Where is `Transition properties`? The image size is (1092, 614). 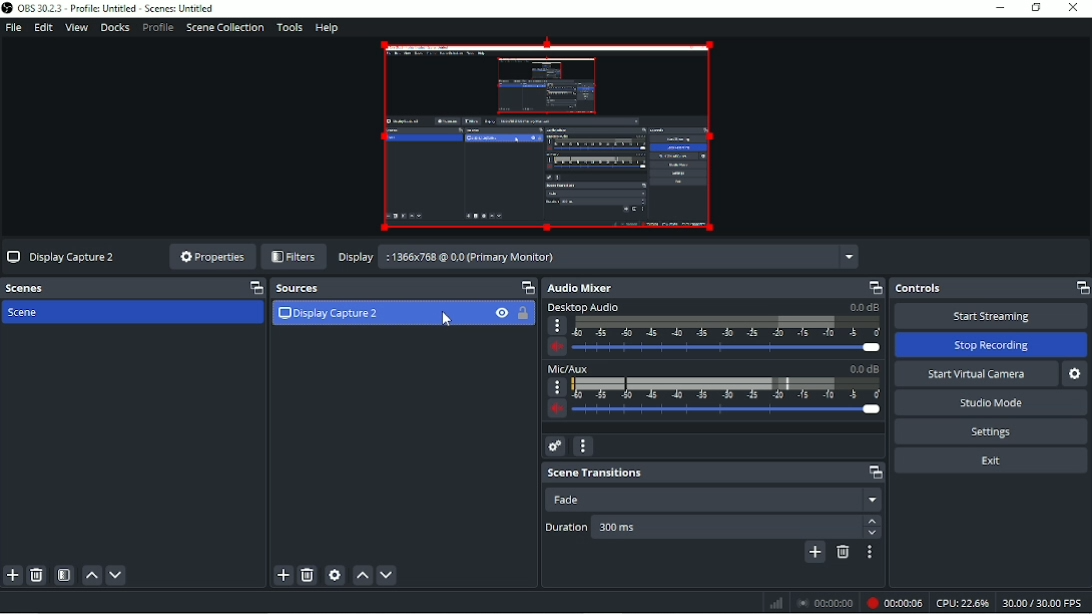 Transition properties is located at coordinates (870, 553).